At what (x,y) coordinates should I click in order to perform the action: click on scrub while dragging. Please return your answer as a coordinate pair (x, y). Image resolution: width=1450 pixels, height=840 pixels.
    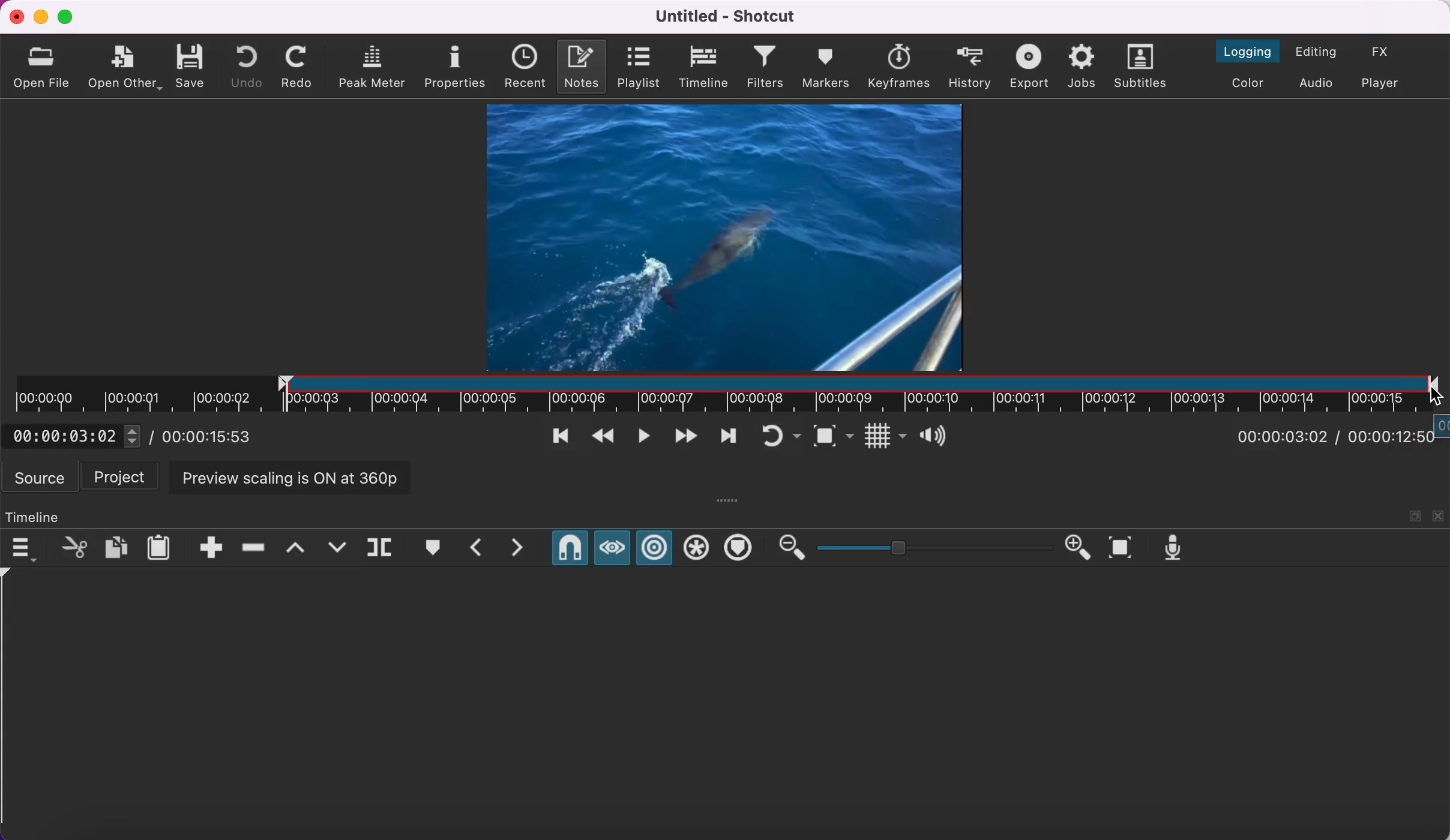
    Looking at the image, I should click on (612, 547).